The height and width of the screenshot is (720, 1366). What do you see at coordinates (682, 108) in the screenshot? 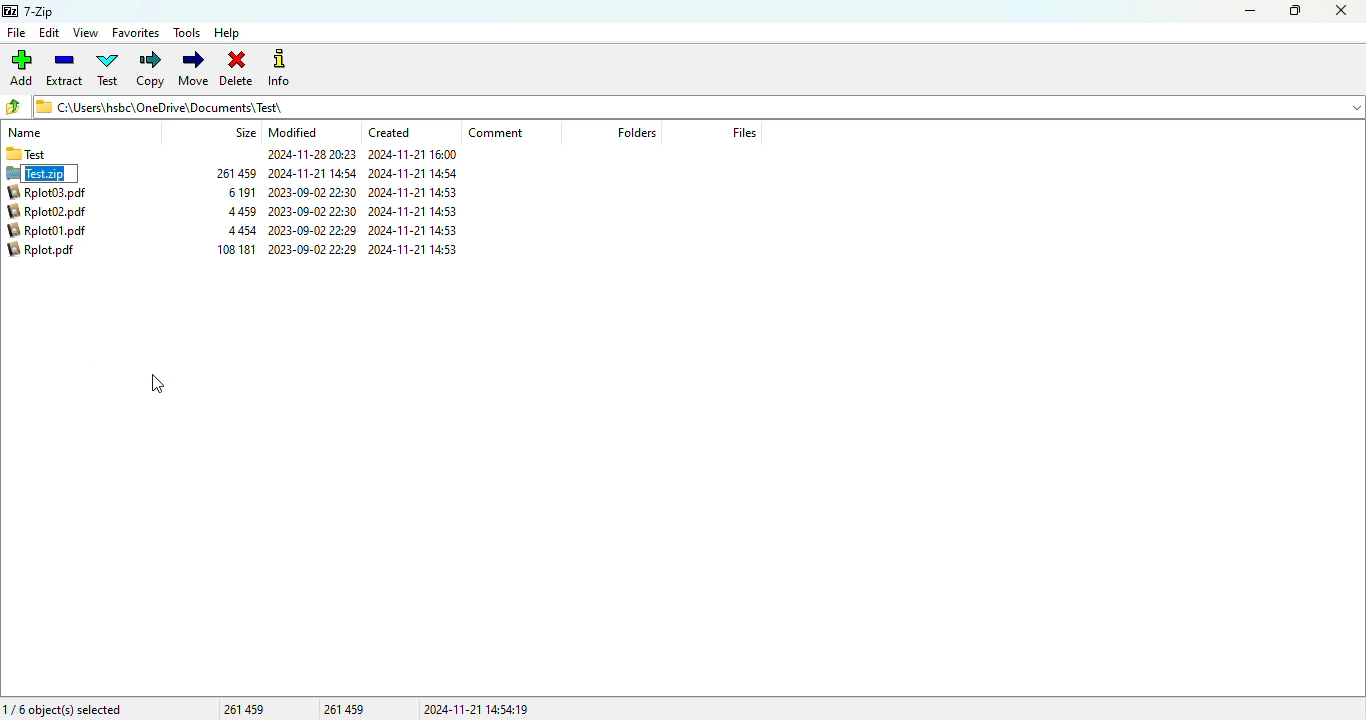
I see `C:\Users\hsbc\OneDrive\Documents) Test\` at bounding box center [682, 108].